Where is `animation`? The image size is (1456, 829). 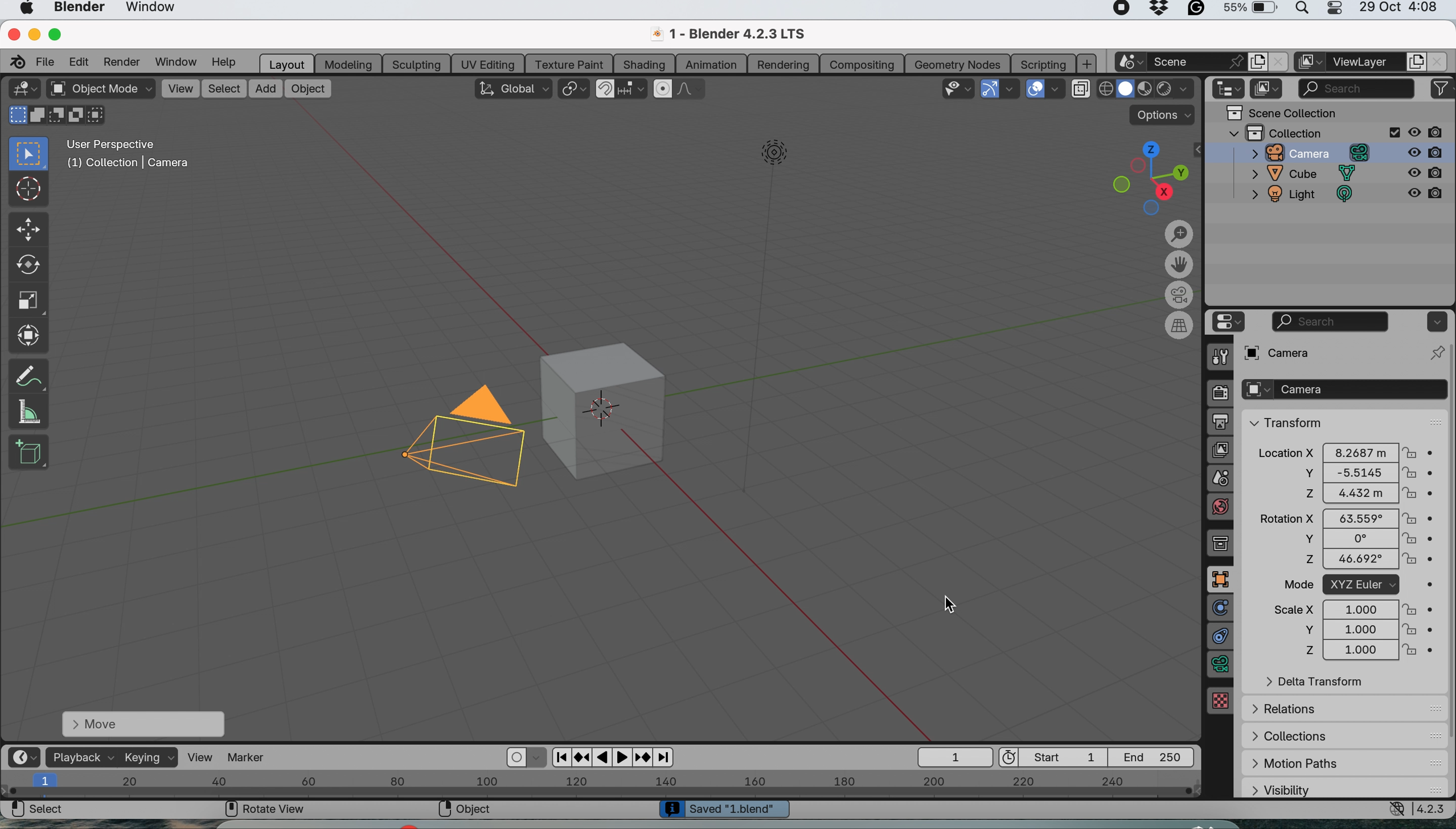
animation is located at coordinates (711, 65).